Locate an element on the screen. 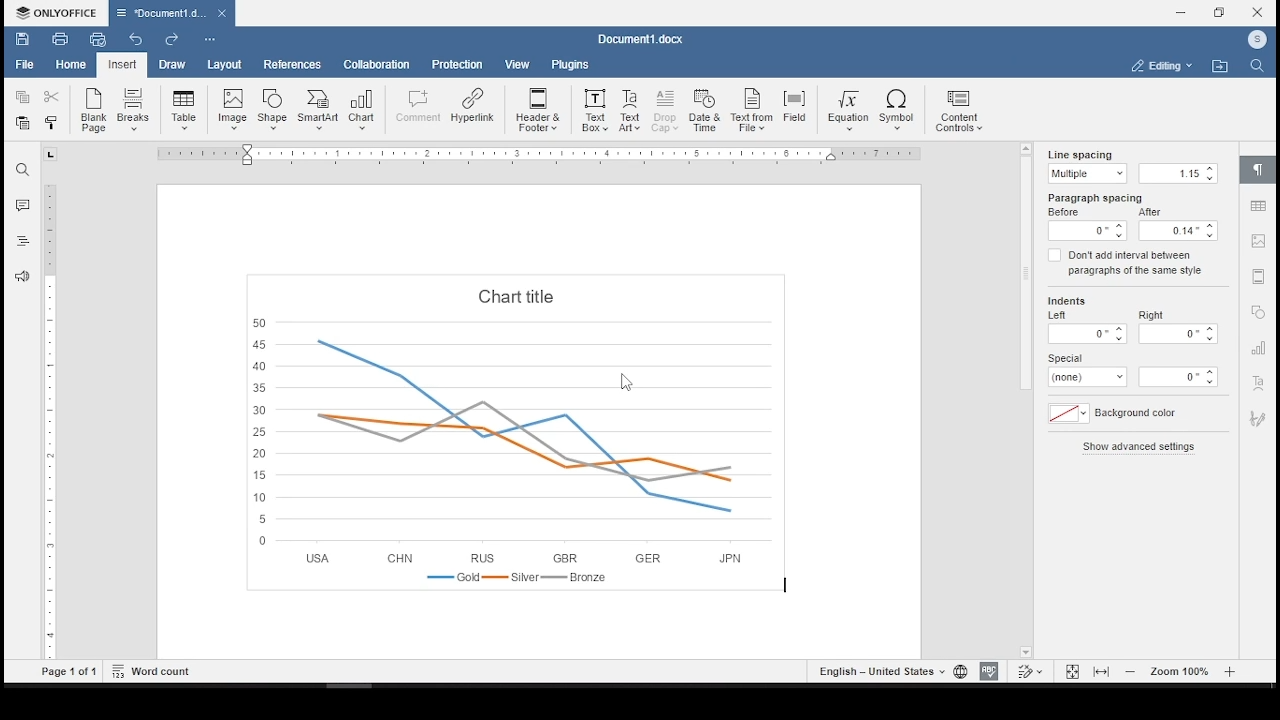 This screenshot has width=1280, height=720. signature is located at coordinates (1259, 420).